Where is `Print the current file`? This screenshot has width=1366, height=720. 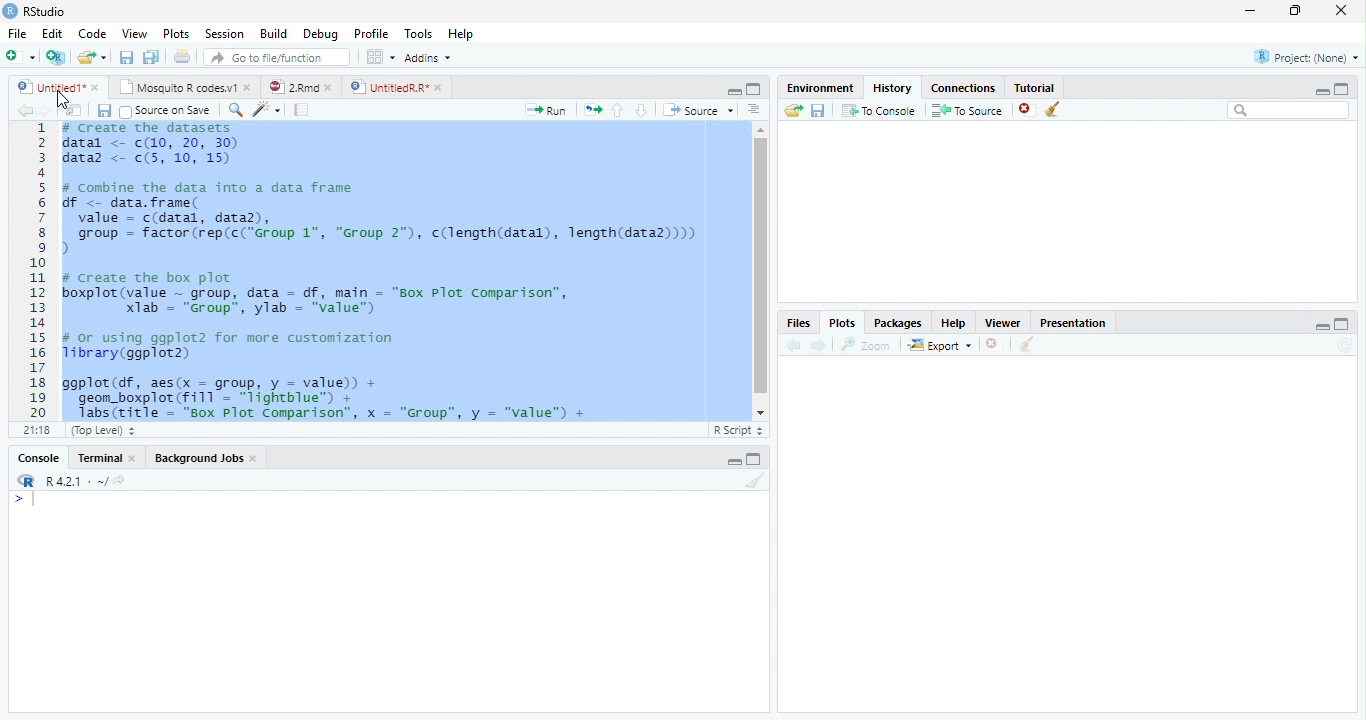 Print the current file is located at coordinates (181, 56).